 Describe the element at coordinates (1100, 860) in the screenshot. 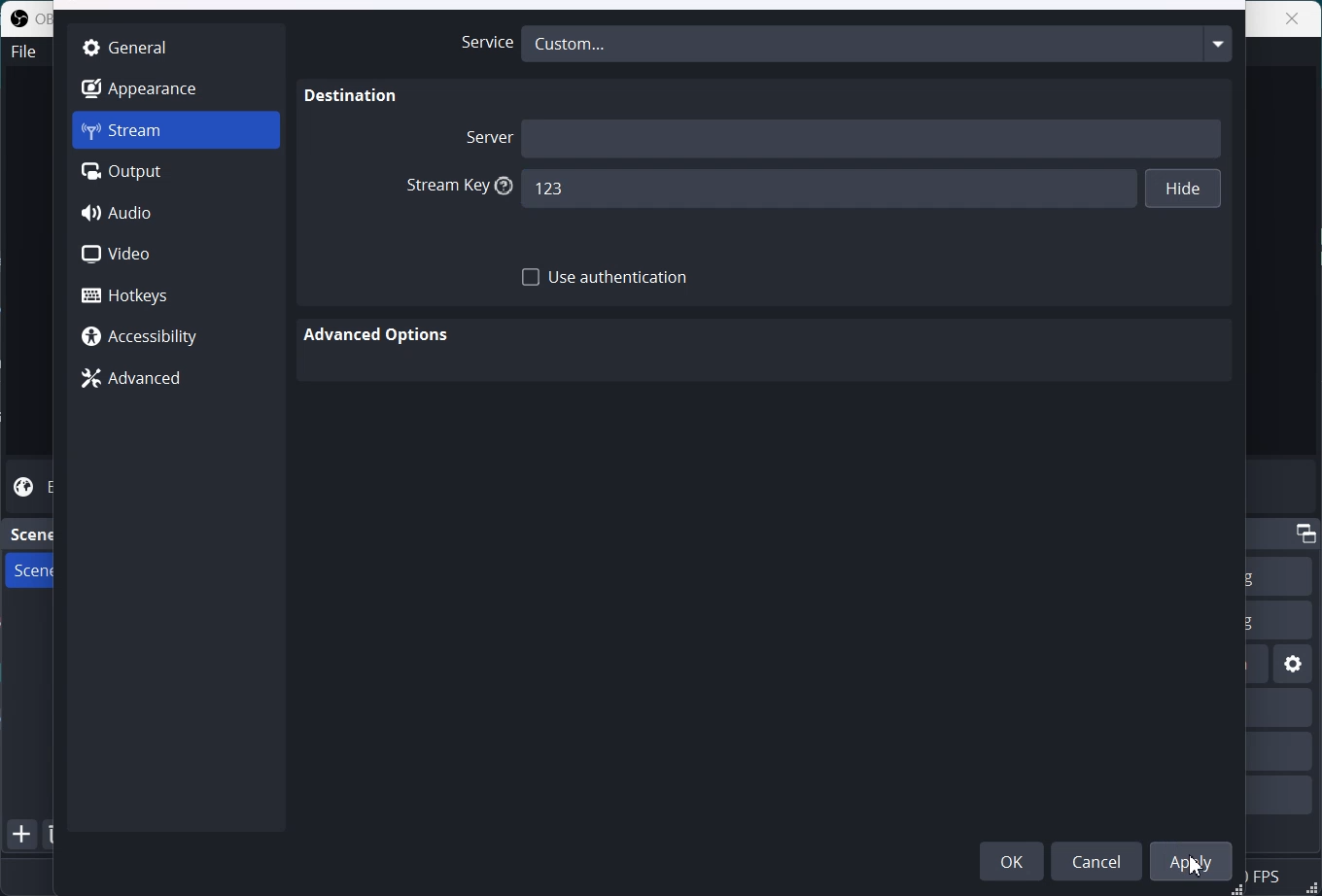

I see `Cancel` at that location.